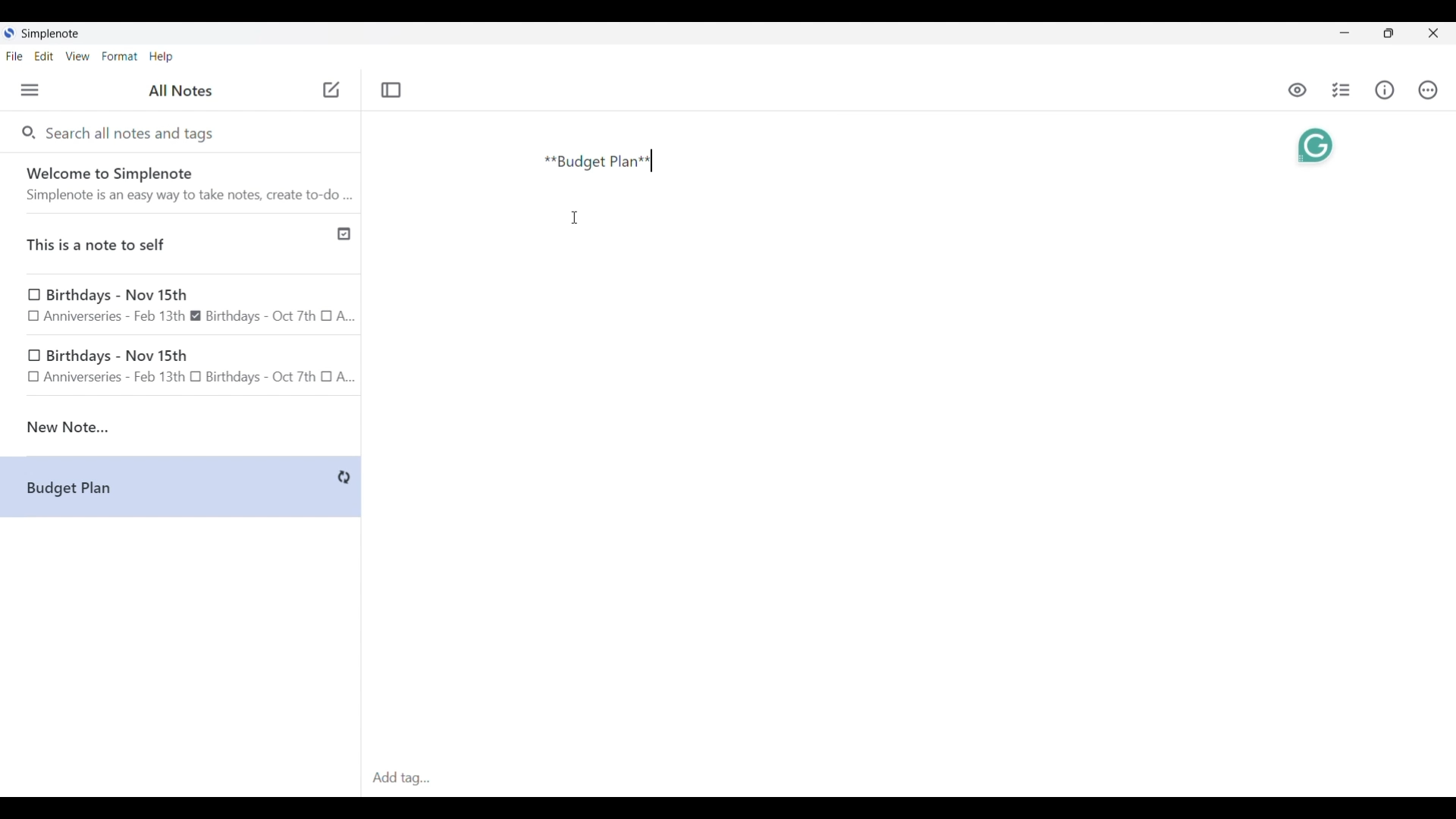 This screenshot has height=819, width=1456. What do you see at coordinates (908, 779) in the screenshot?
I see `Click to type in tags` at bounding box center [908, 779].